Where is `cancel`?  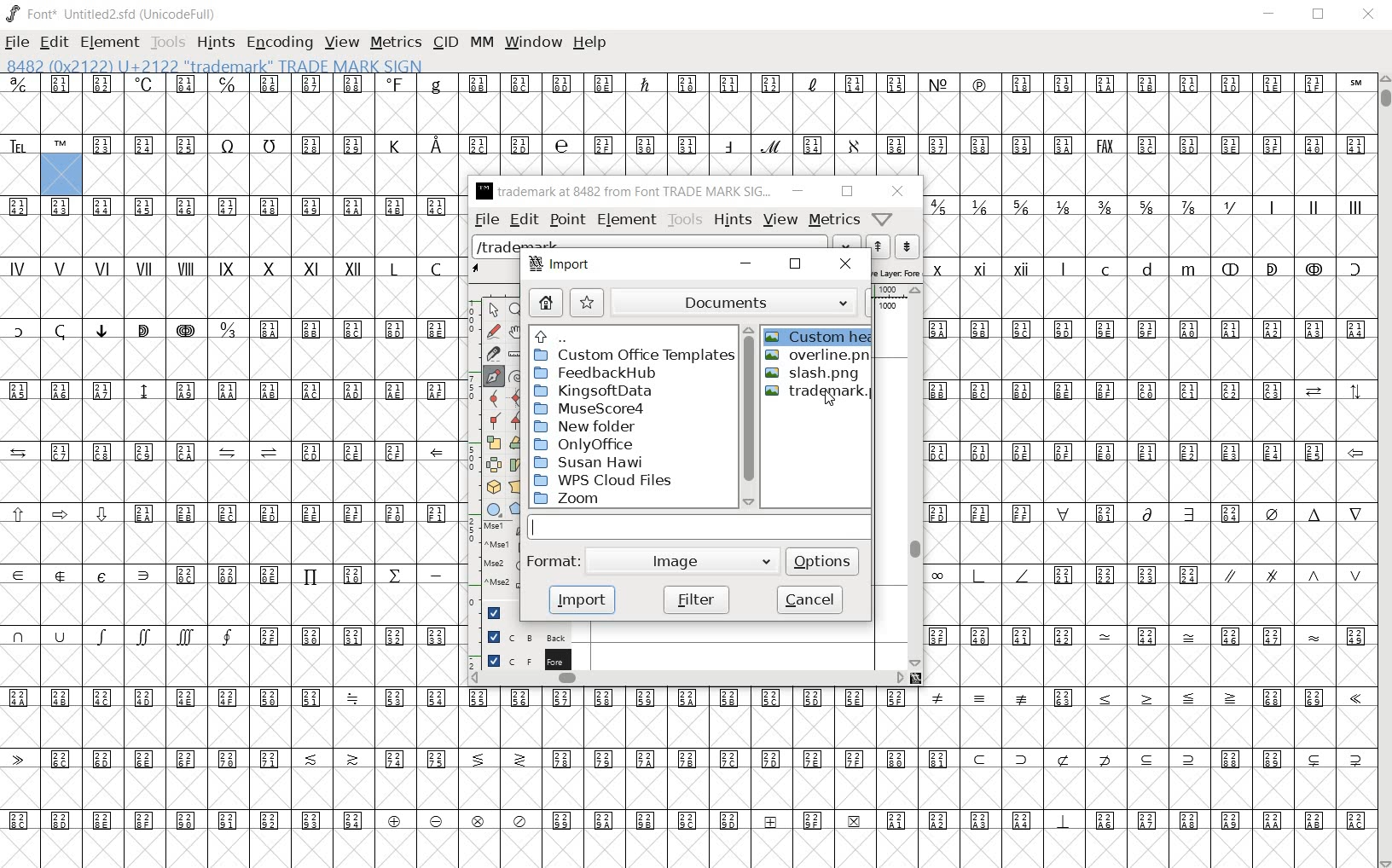 cancel is located at coordinates (813, 601).